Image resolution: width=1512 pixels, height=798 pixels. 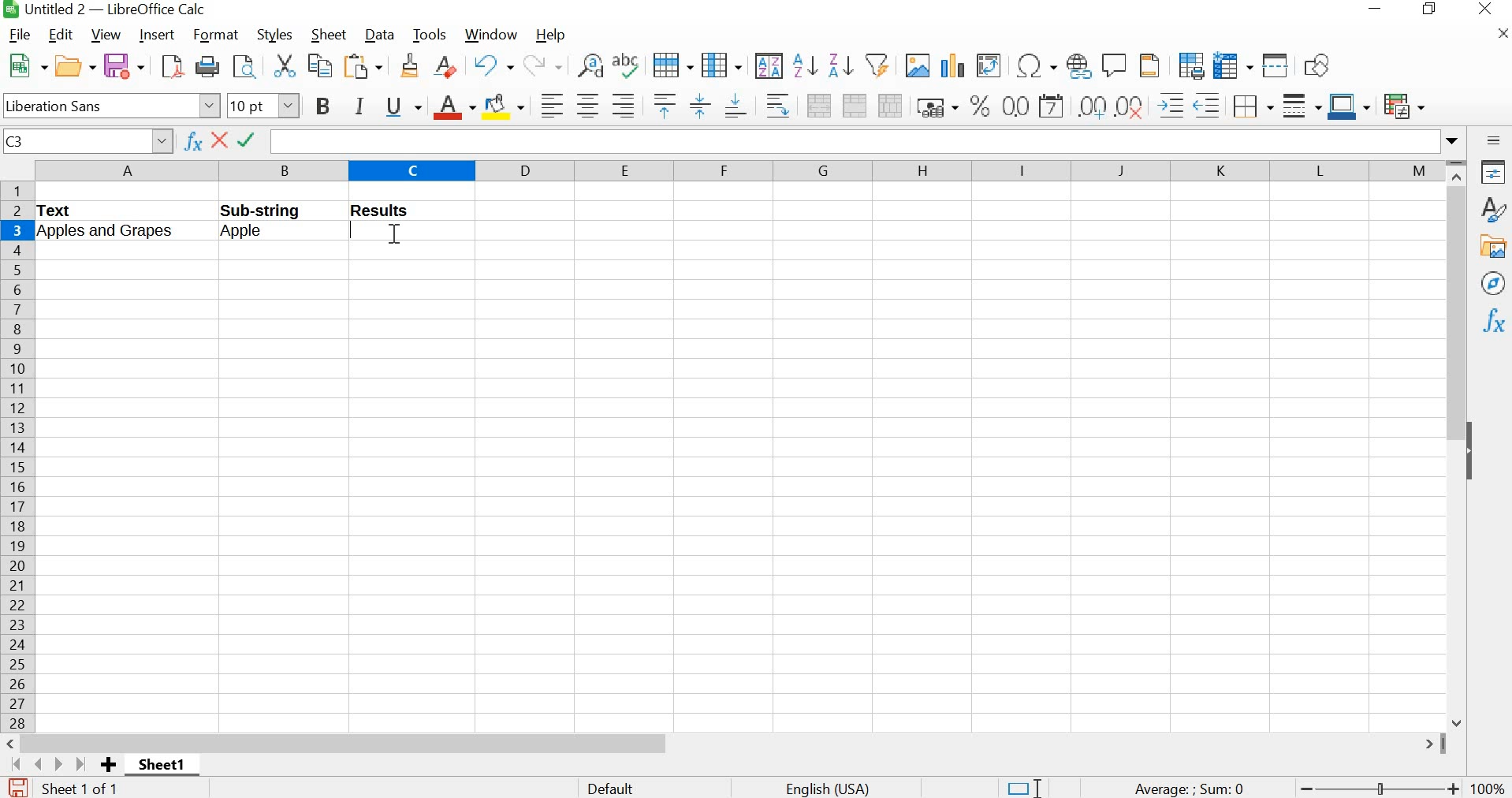 I want to click on show draw functions, so click(x=1319, y=65).